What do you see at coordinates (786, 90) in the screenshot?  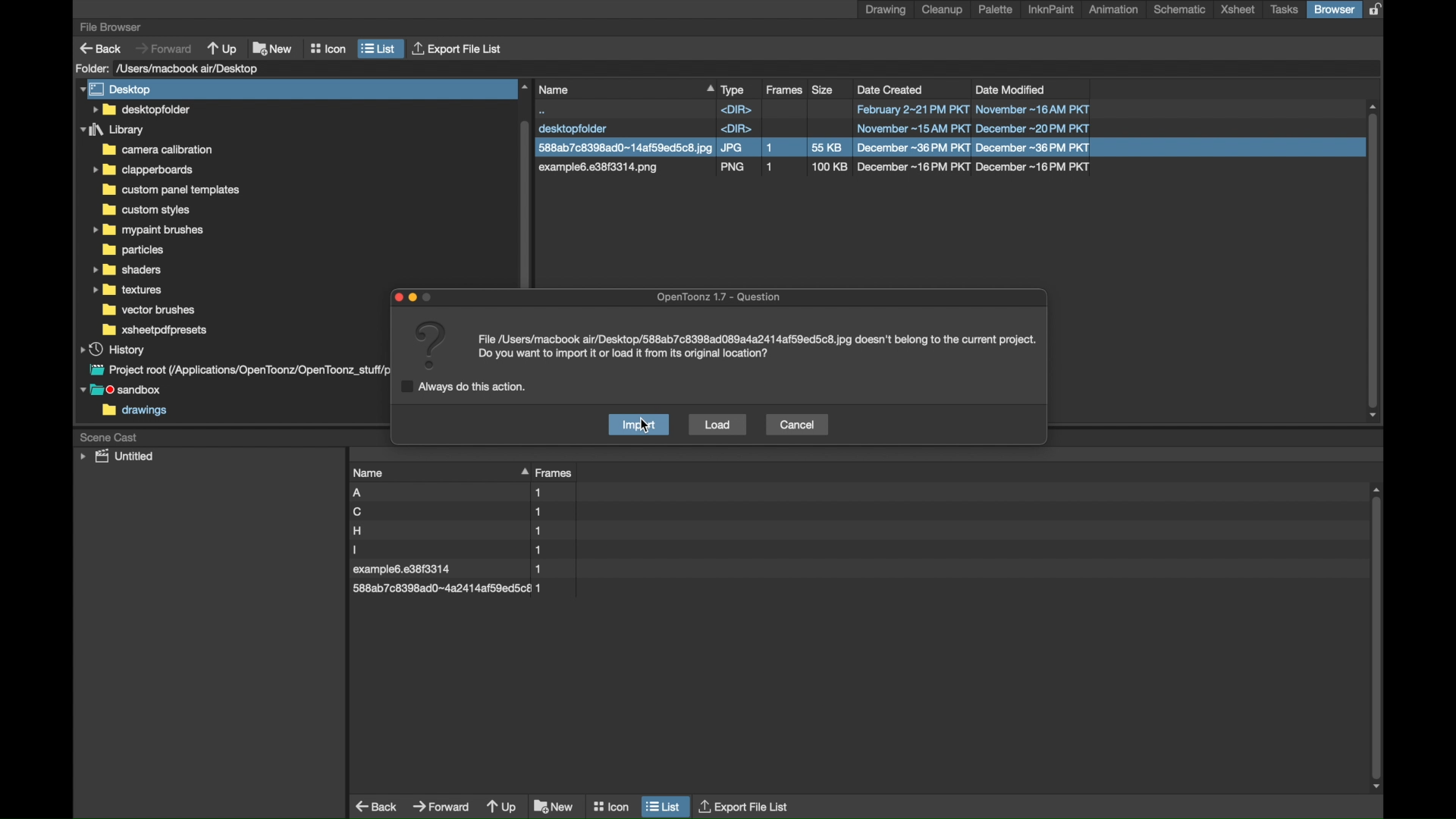 I see `frames` at bounding box center [786, 90].